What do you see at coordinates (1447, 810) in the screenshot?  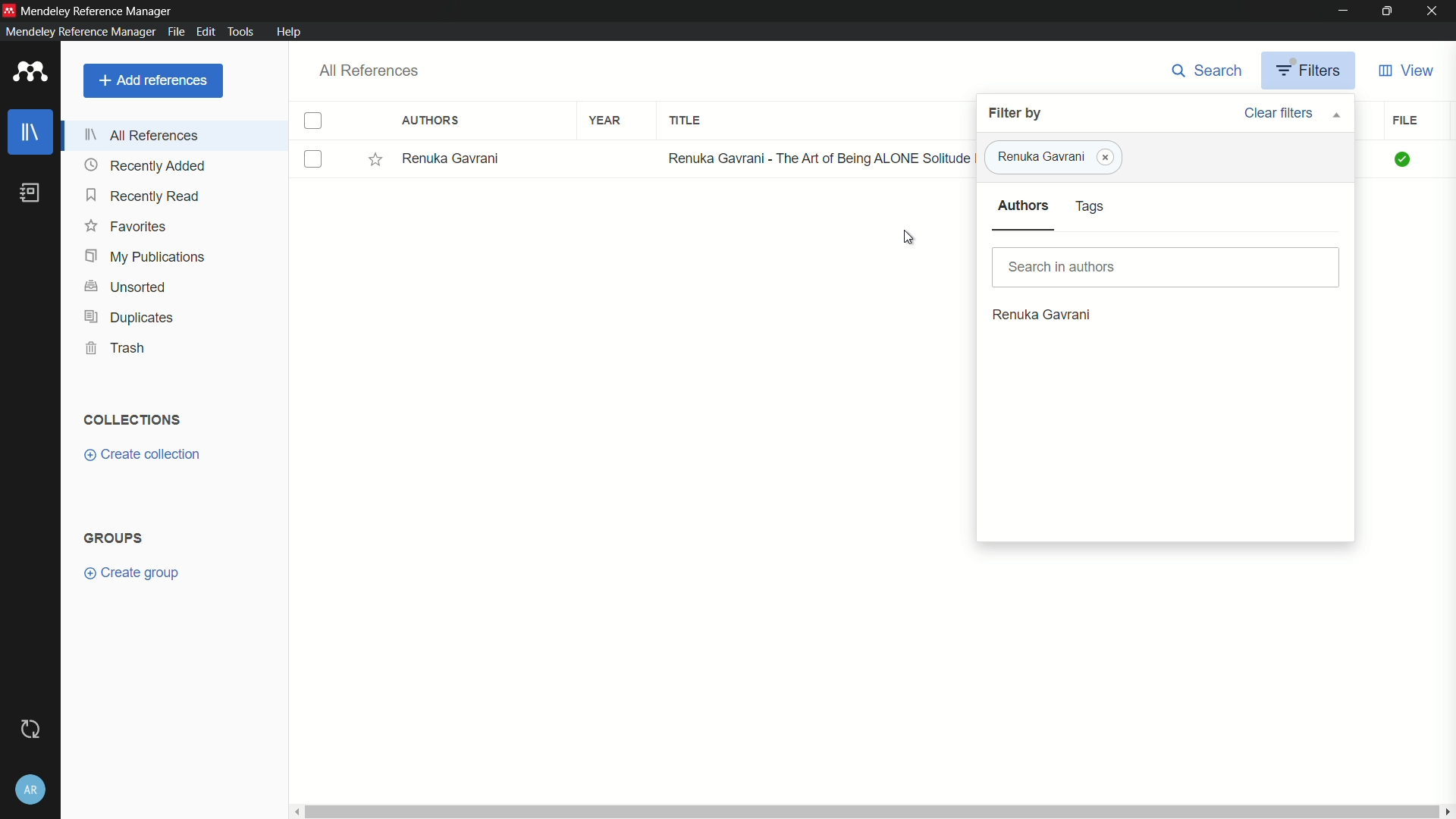 I see `scroll right` at bounding box center [1447, 810].